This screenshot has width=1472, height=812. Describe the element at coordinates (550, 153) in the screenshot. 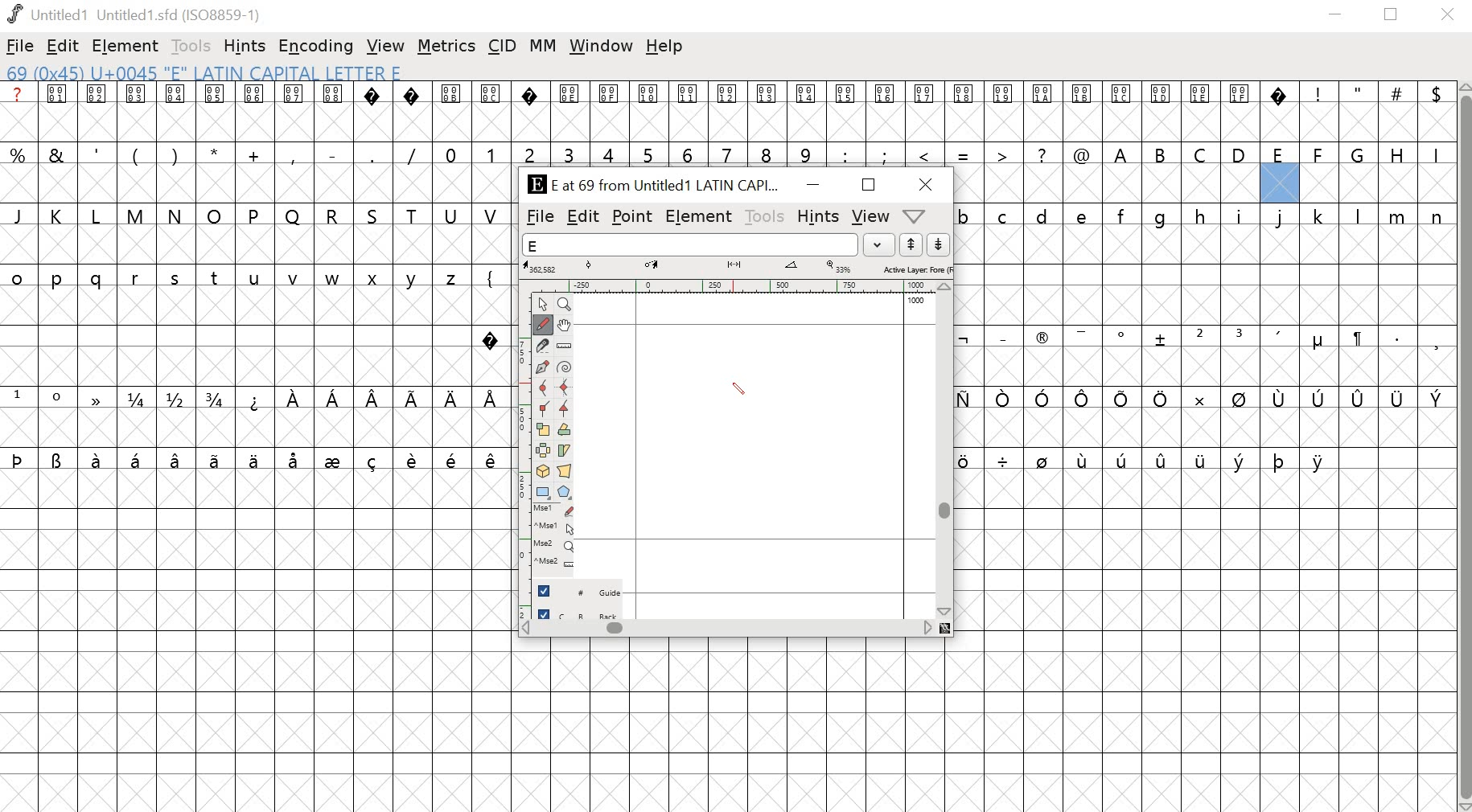

I see `symbols and numbers` at that location.